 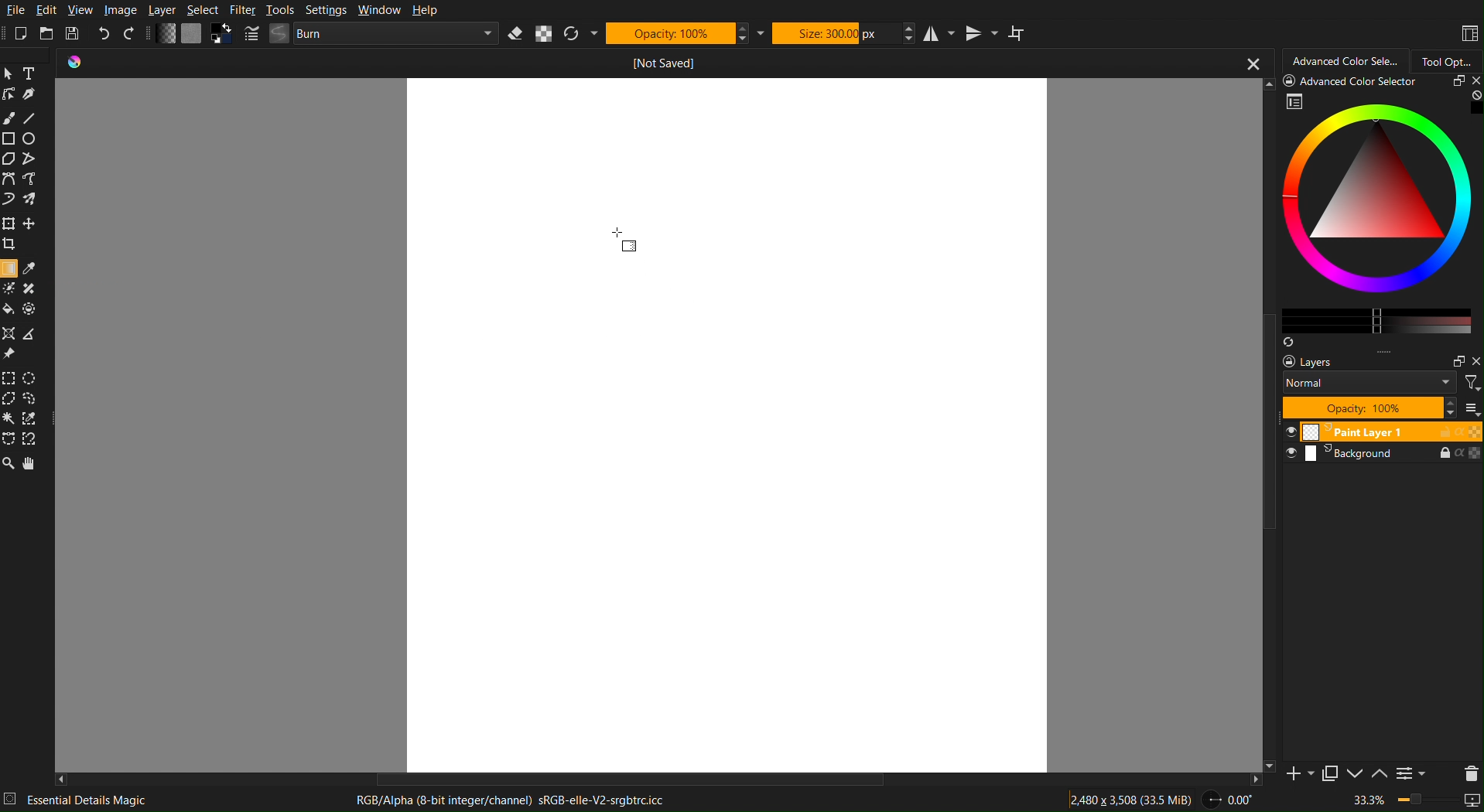 What do you see at coordinates (242, 10) in the screenshot?
I see `Filter` at bounding box center [242, 10].